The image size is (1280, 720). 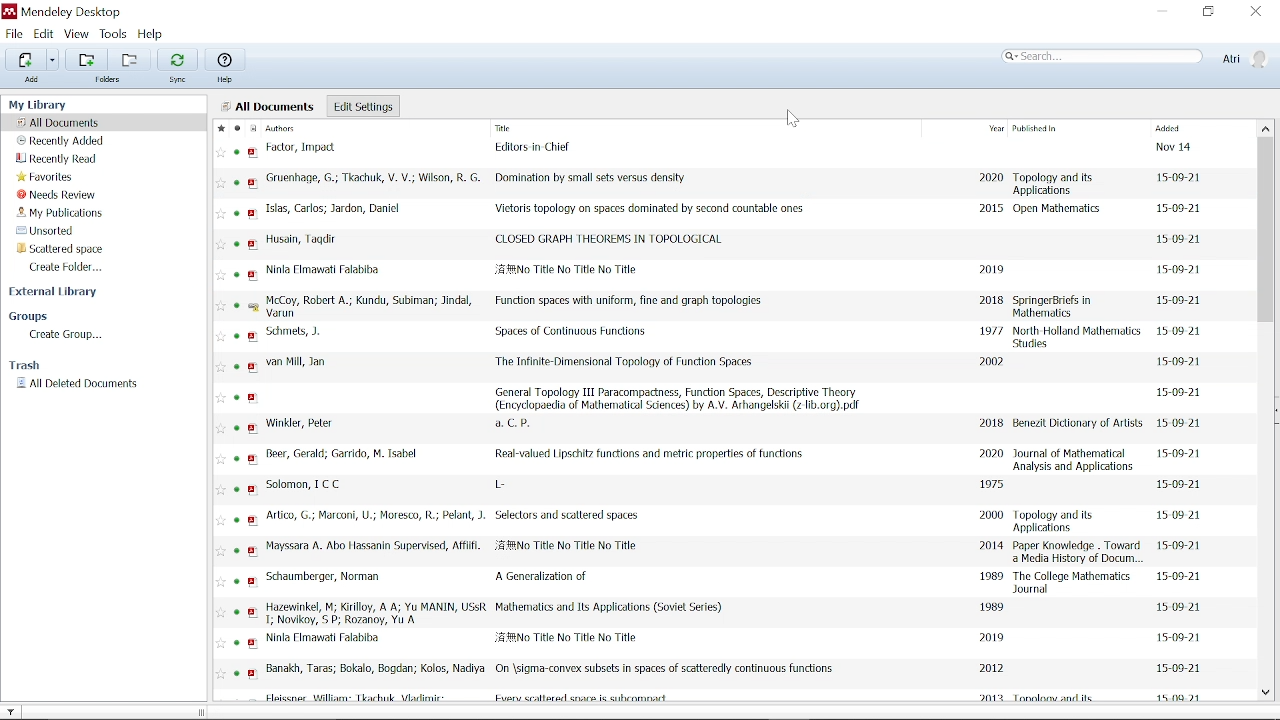 What do you see at coordinates (1264, 127) in the screenshot?
I see `Move up in all files` at bounding box center [1264, 127].